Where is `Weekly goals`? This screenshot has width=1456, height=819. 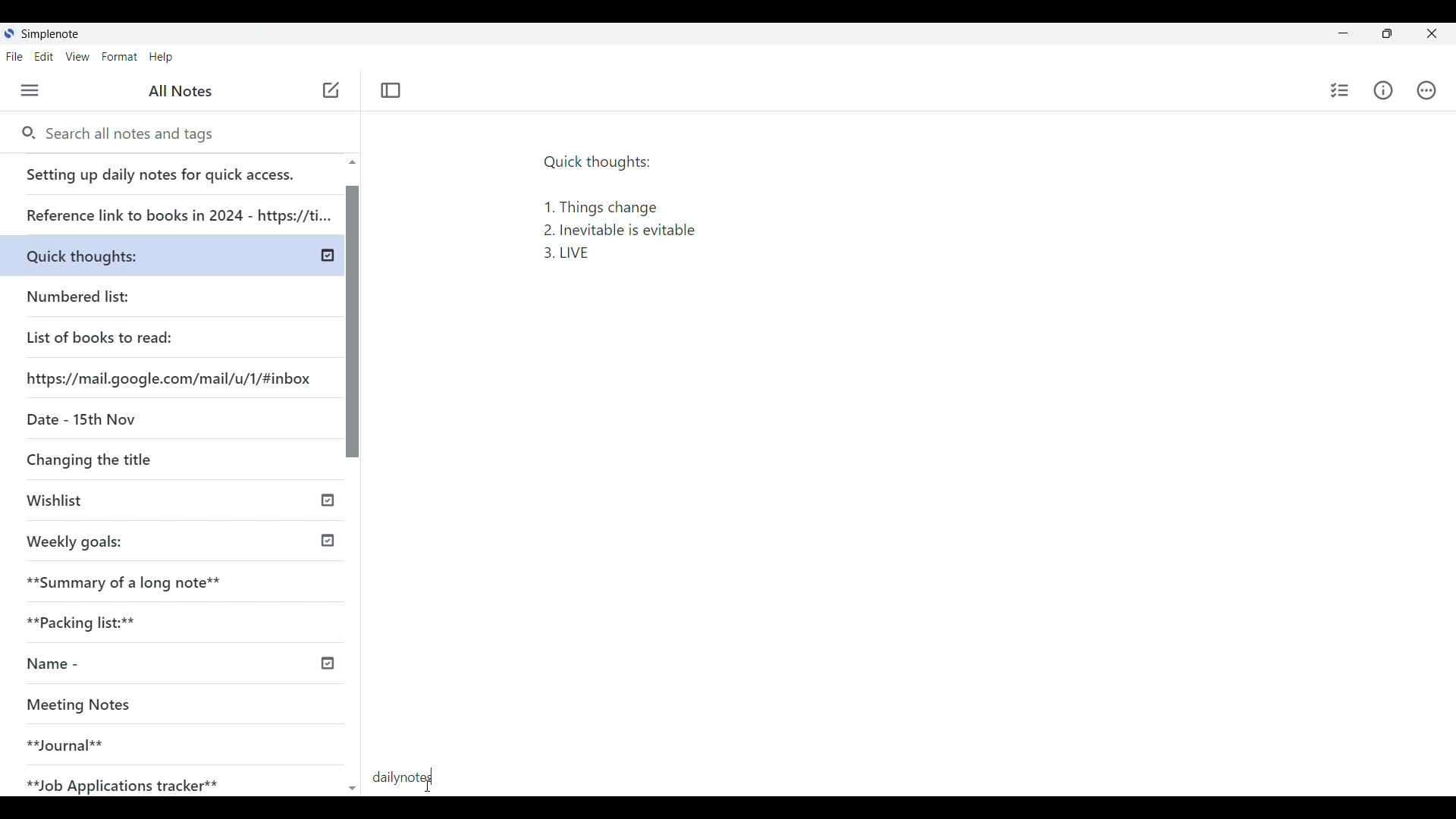 Weekly goals is located at coordinates (74, 540).